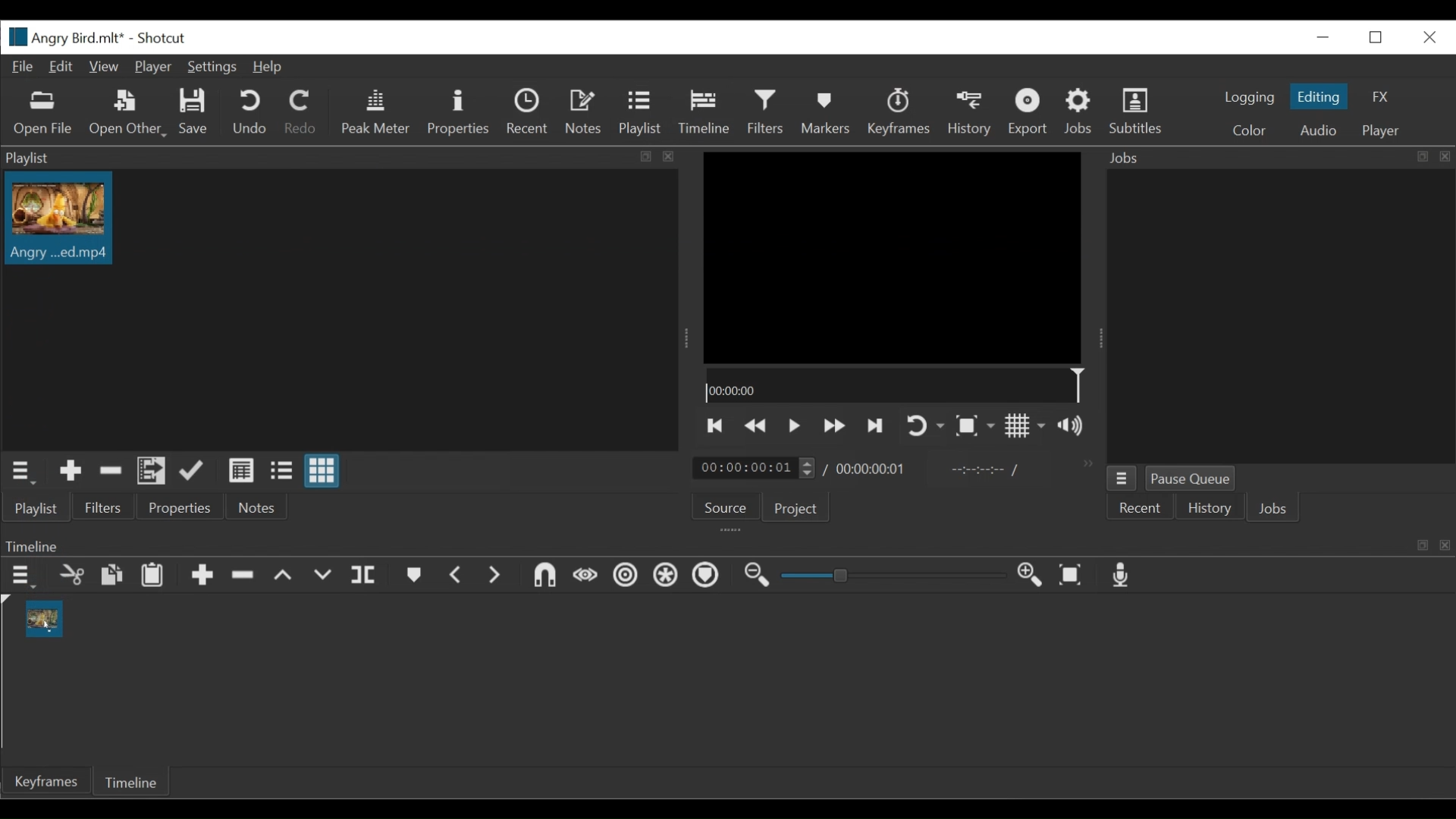  What do you see at coordinates (664, 575) in the screenshot?
I see `Ripple all tracks` at bounding box center [664, 575].